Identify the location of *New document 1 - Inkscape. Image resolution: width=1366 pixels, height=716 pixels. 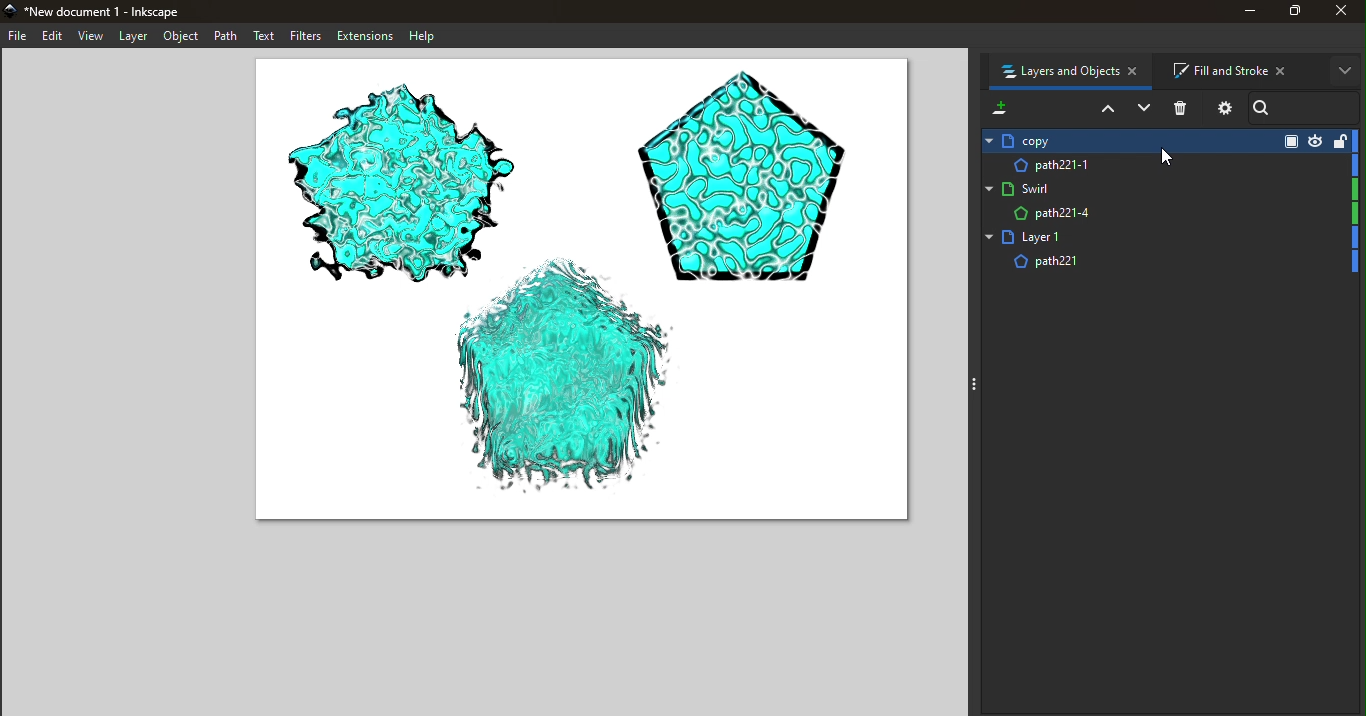
(100, 11).